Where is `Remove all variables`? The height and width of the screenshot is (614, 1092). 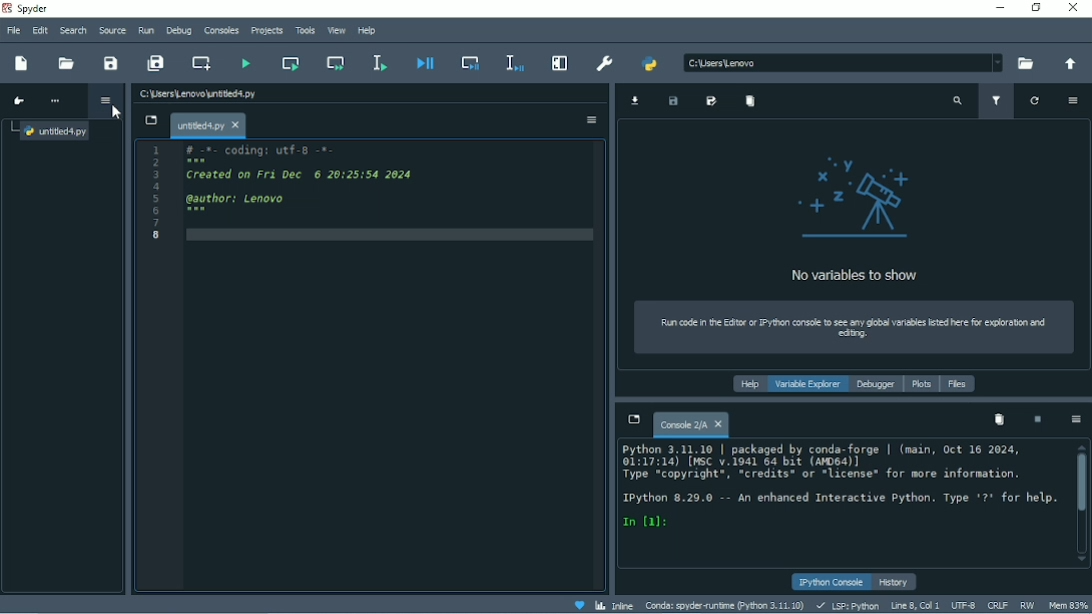 Remove all variables is located at coordinates (751, 101).